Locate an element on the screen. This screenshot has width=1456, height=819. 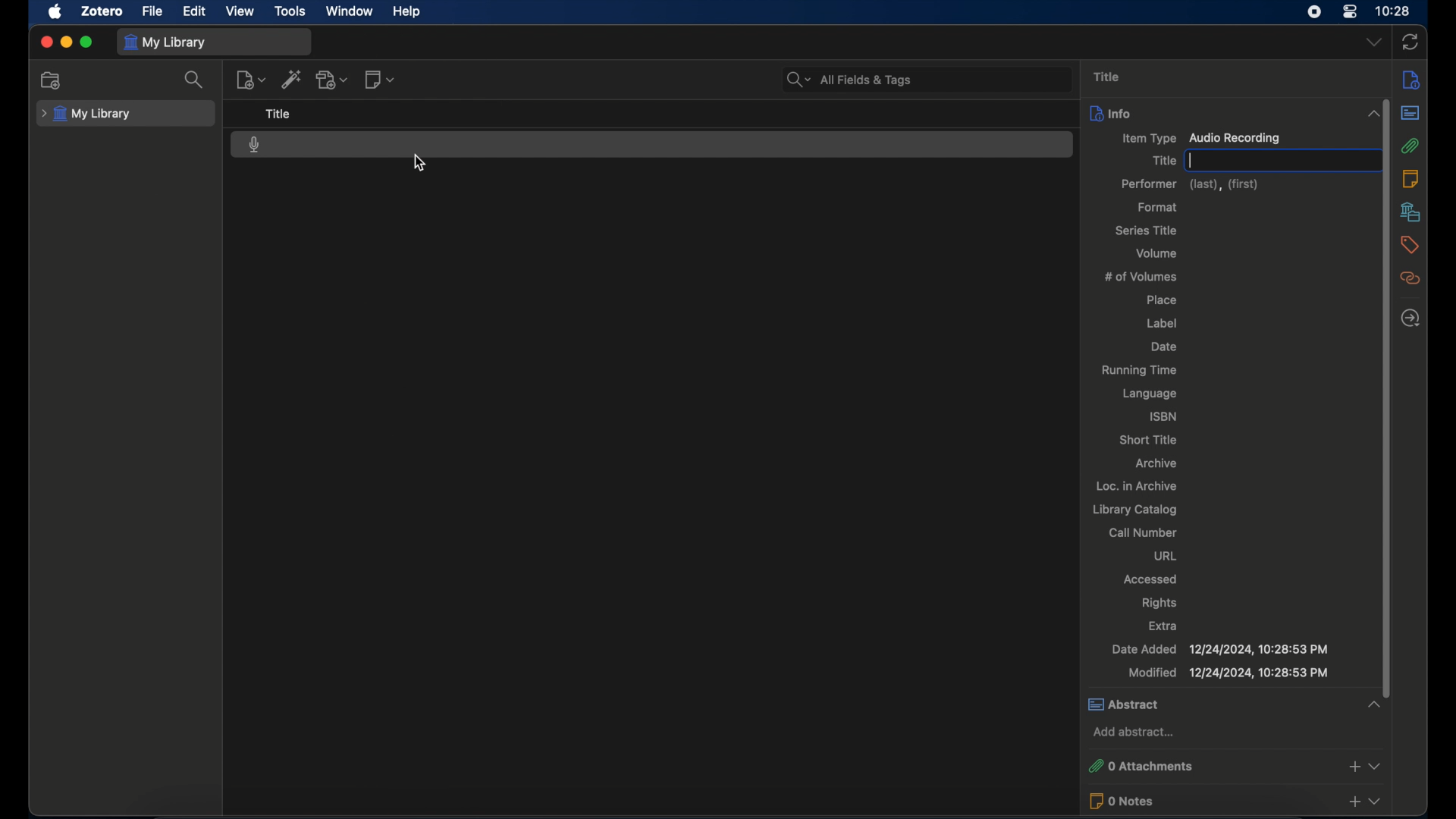
label is located at coordinates (1164, 323).